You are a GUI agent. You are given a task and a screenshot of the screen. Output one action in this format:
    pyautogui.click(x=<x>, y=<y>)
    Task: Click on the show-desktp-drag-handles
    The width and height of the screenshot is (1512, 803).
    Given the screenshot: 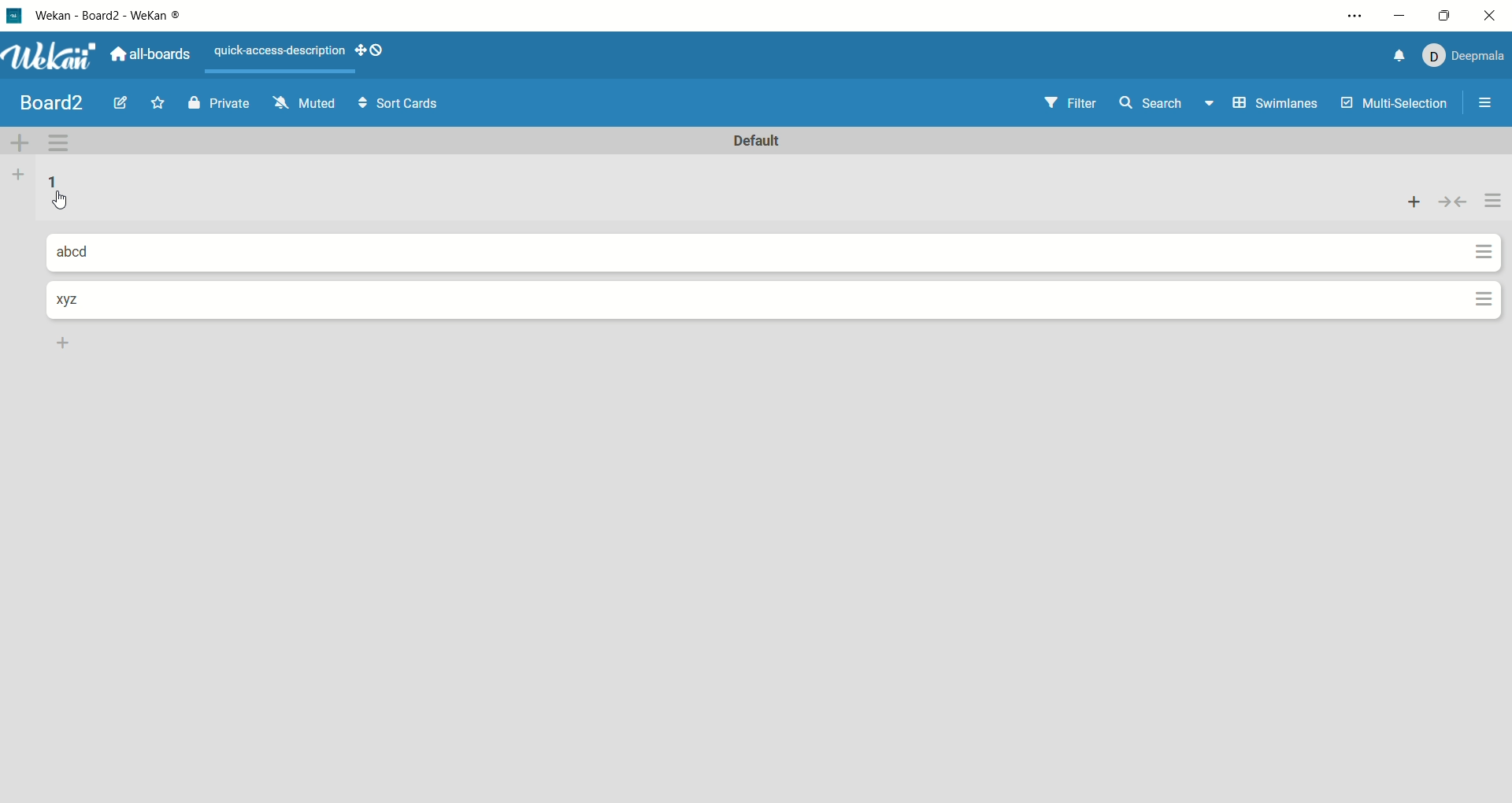 What is the action you would take?
    pyautogui.click(x=356, y=50)
    